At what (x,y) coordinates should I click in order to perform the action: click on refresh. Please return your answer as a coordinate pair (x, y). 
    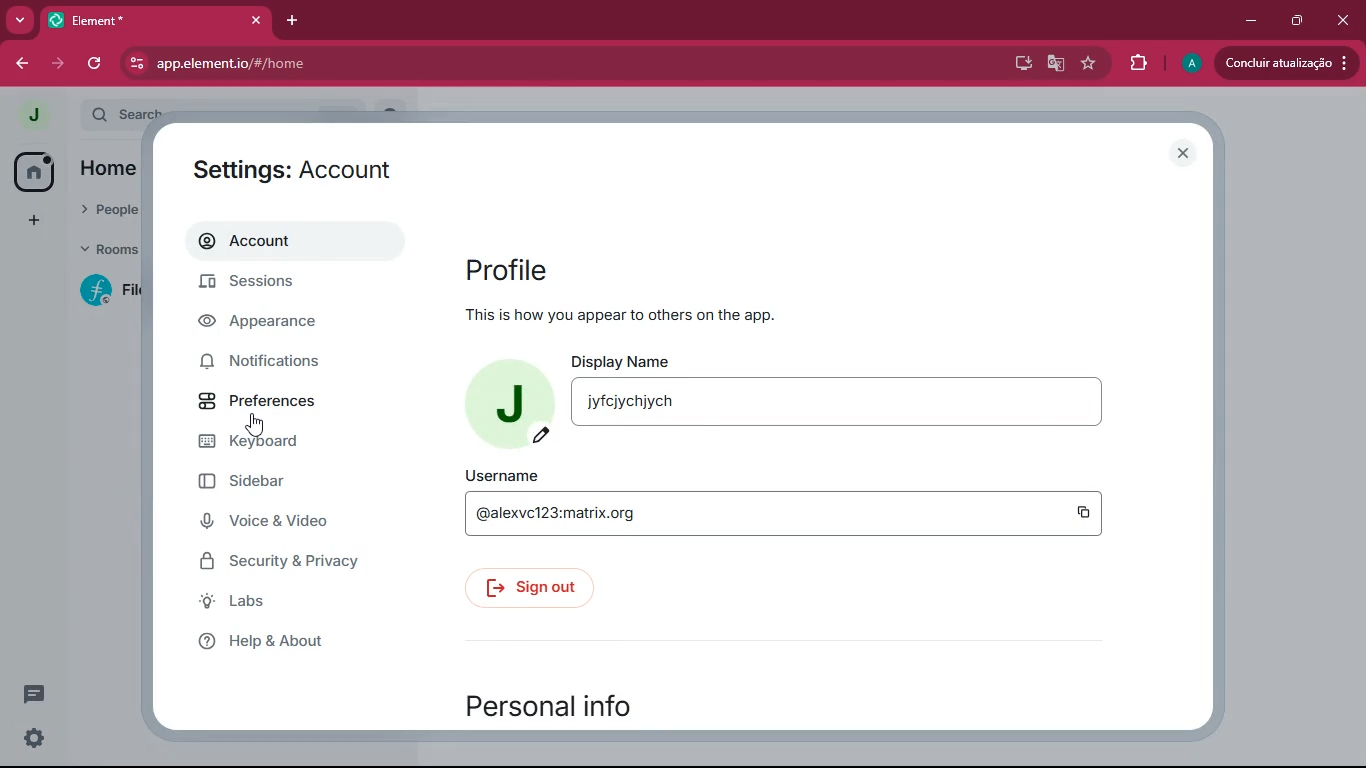
    Looking at the image, I should click on (92, 65).